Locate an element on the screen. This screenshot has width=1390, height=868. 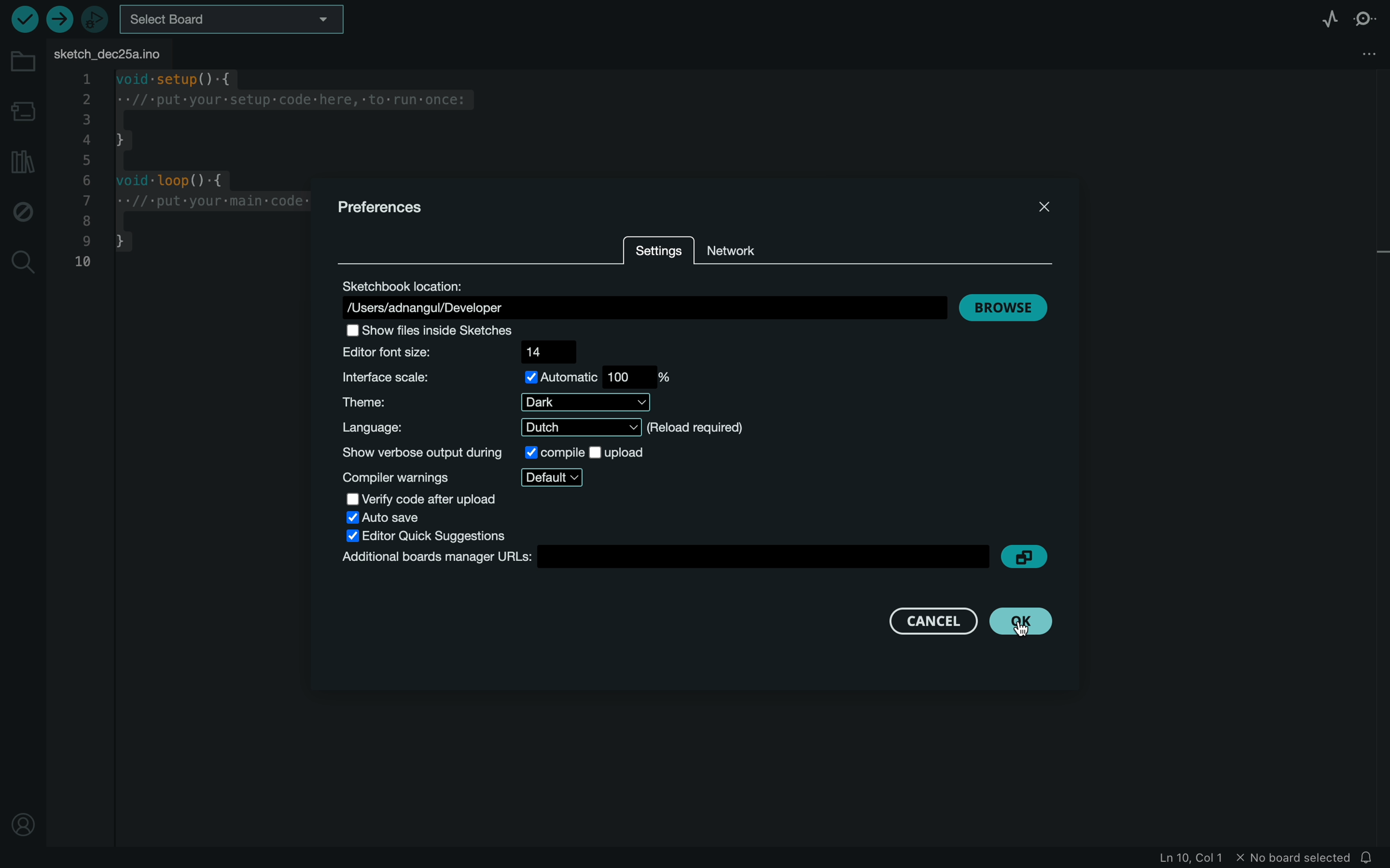
upload is located at coordinates (57, 21).